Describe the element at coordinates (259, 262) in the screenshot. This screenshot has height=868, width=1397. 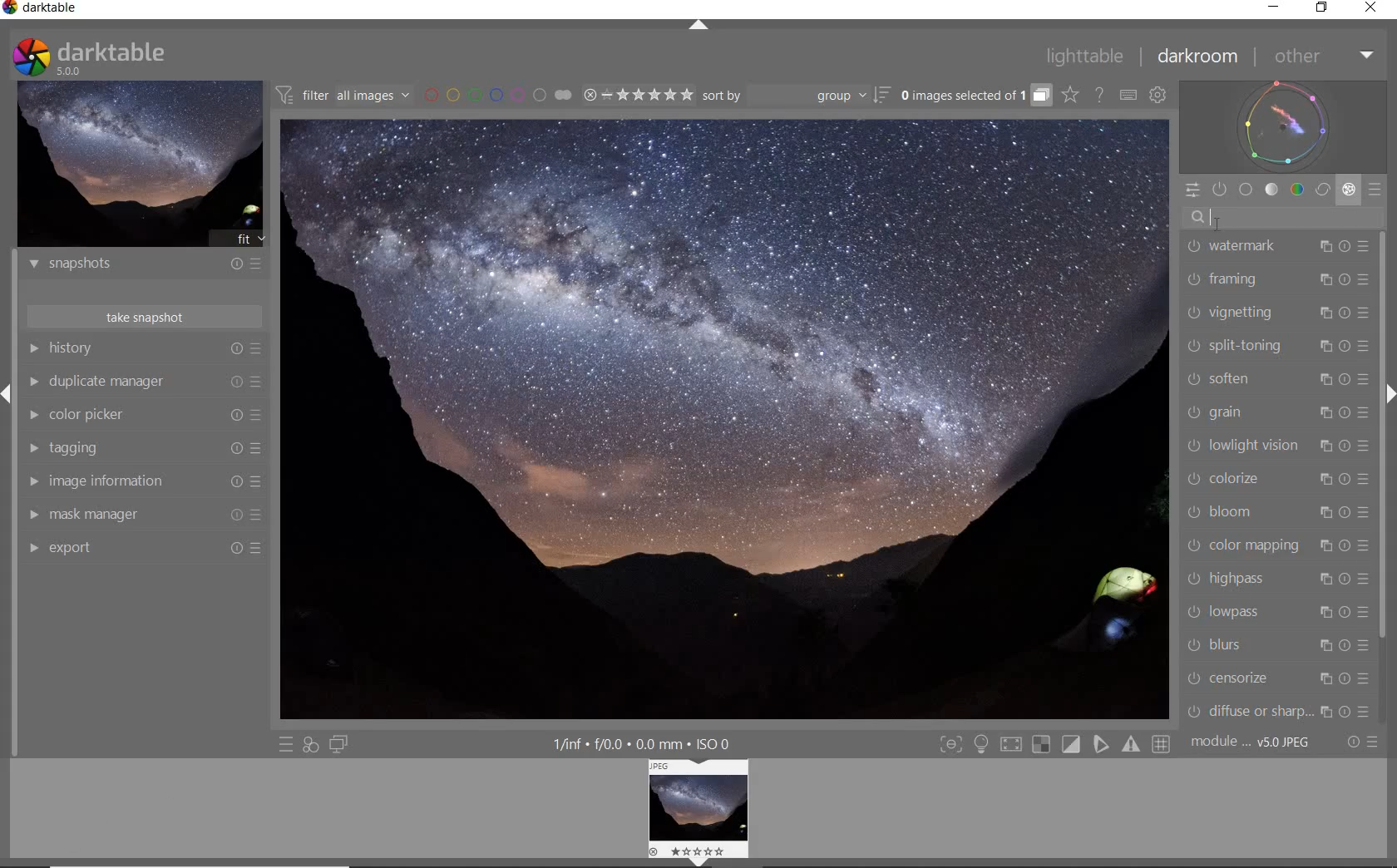
I see `presets and preferences` at that location.